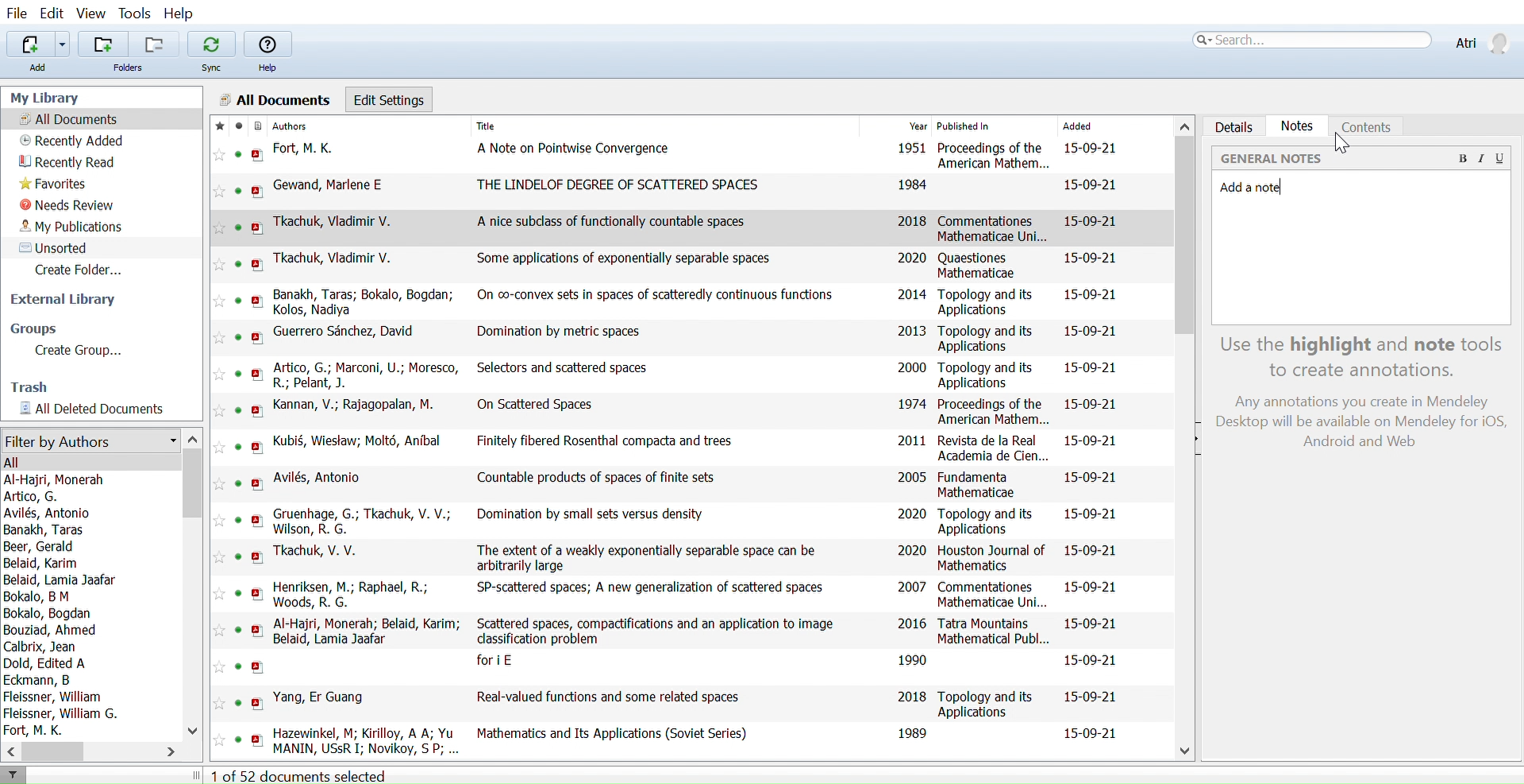 The width and height of the screenshot is (1524, 784). I want to click on 15-09-21, so click(1094, 404).